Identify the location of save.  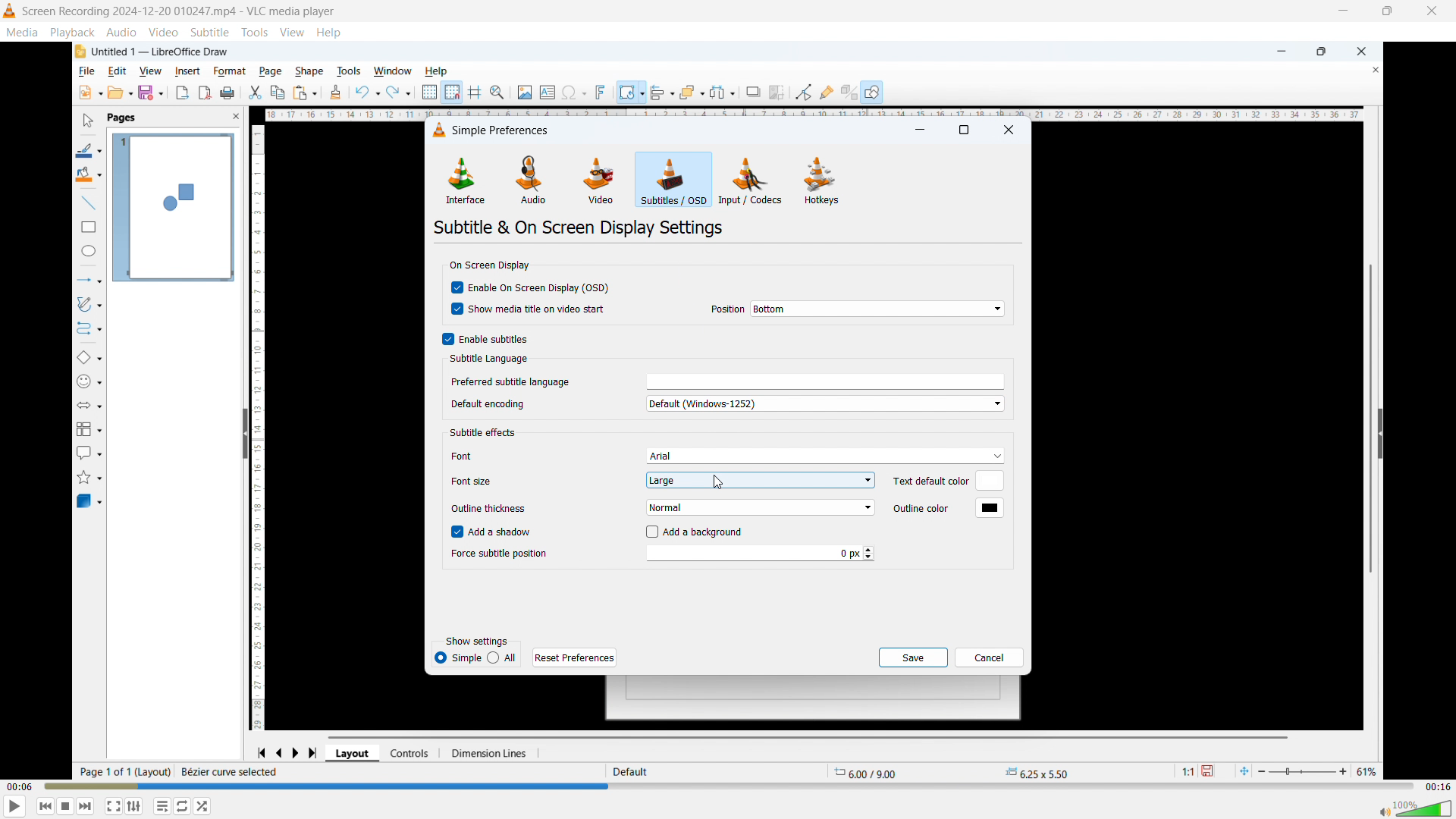
(914, 658).